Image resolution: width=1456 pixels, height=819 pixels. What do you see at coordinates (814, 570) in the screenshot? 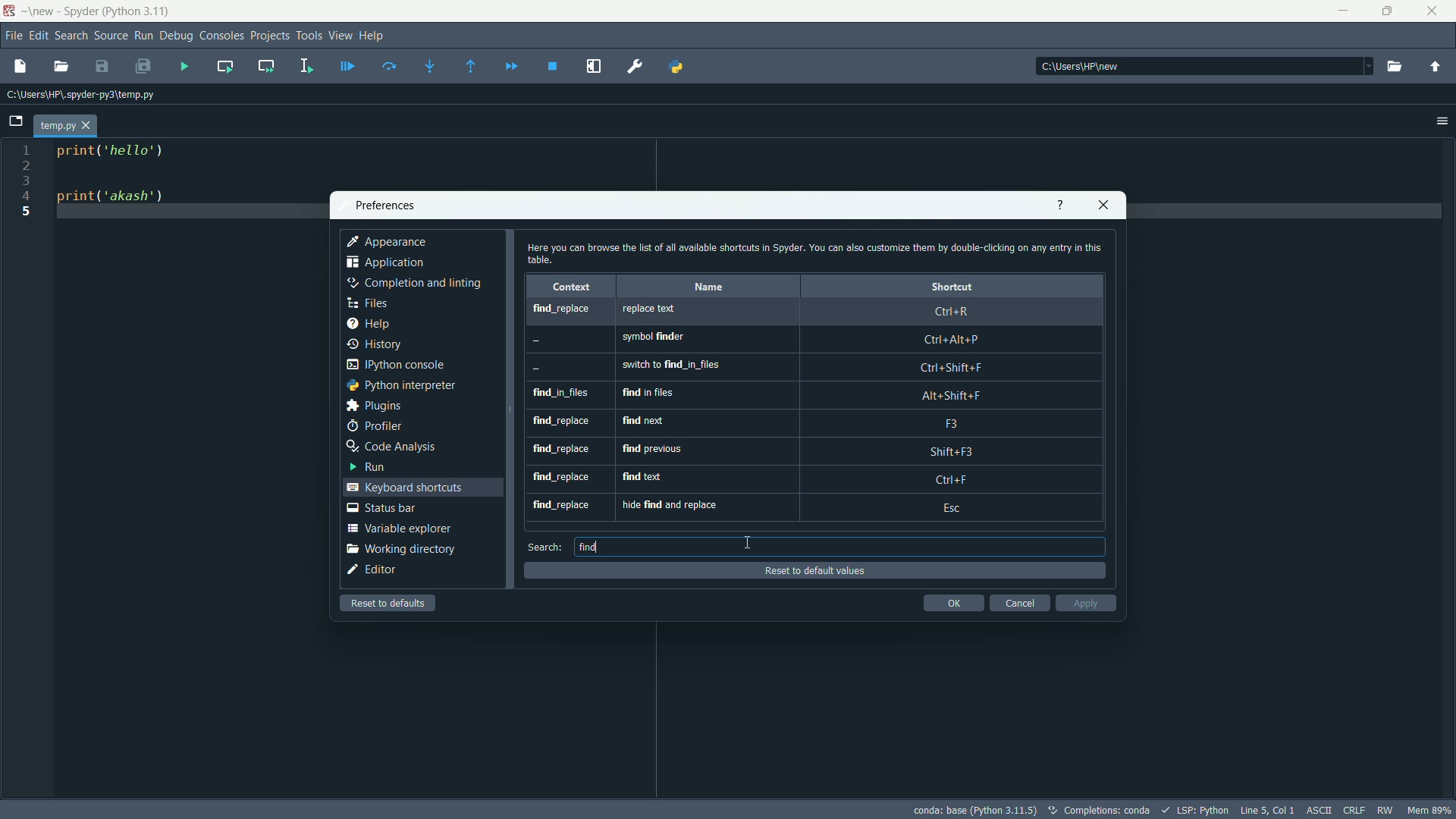
I see `reset to default values` at bounding box center [814, 570].